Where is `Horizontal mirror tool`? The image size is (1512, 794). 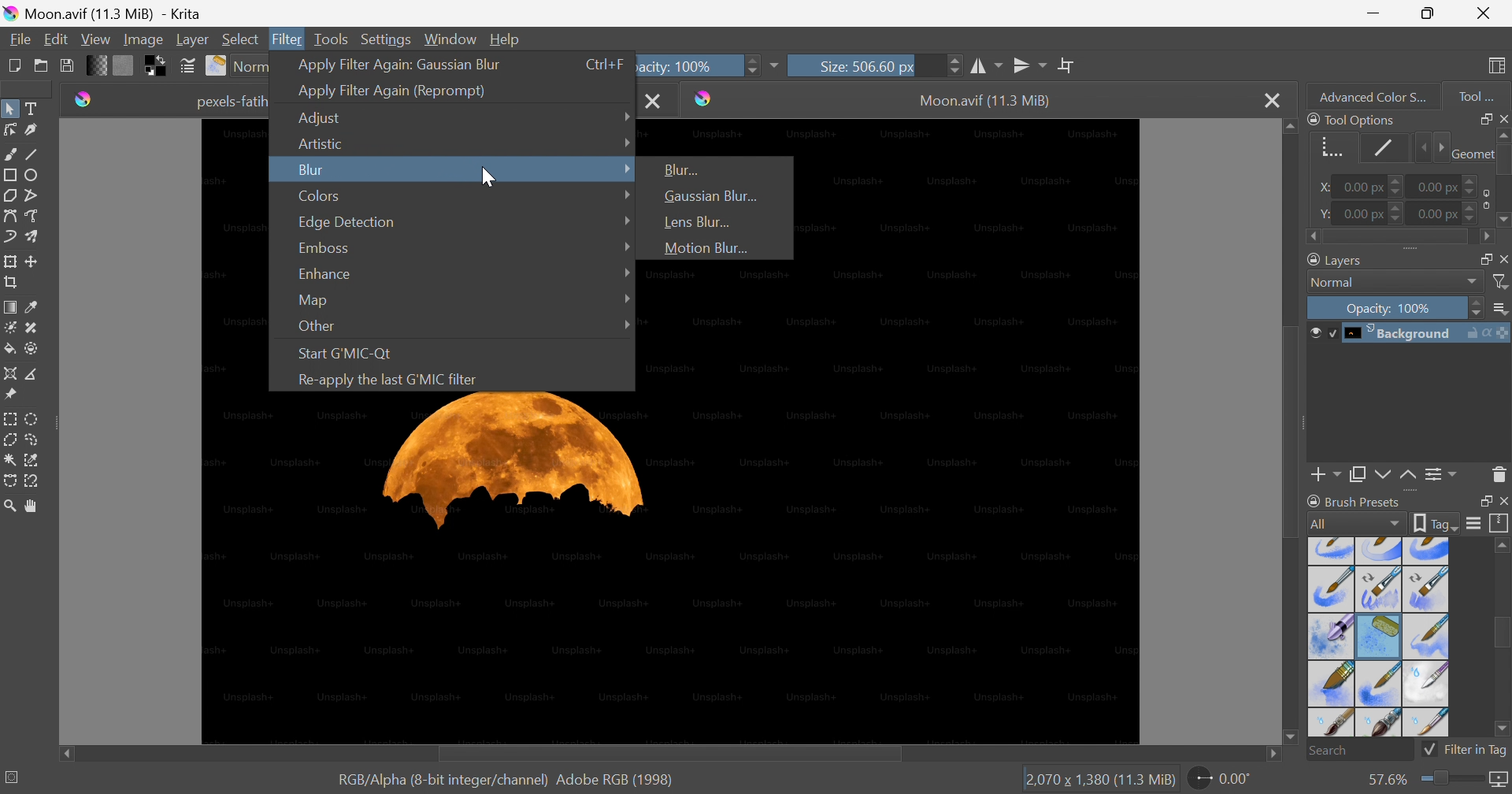
Horizontal mirror tool is located at coordinates (986, 66).